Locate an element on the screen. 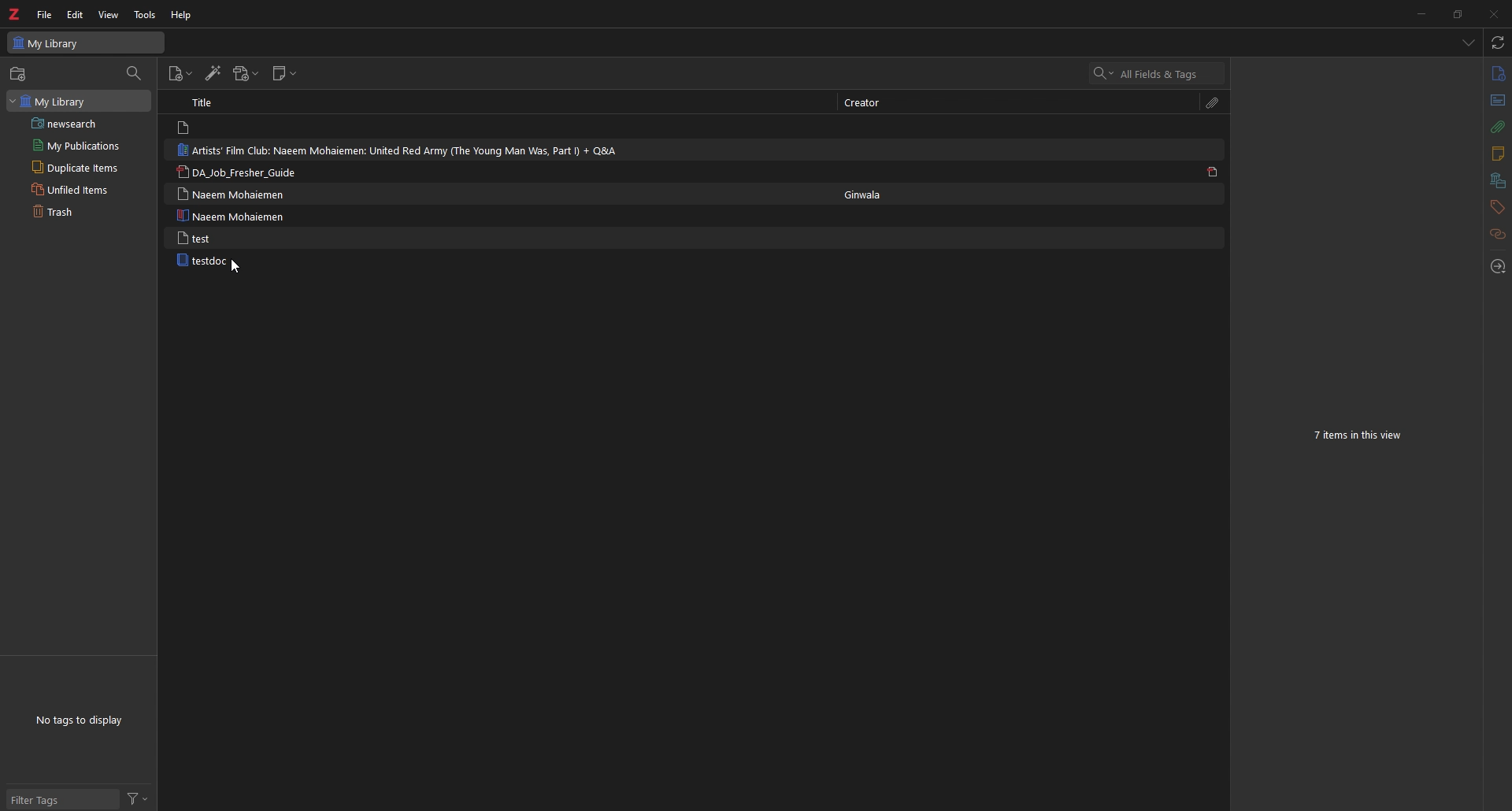 The width and height of the screenshot is (1512, 811). saved search is located at coordinates (81, 123).